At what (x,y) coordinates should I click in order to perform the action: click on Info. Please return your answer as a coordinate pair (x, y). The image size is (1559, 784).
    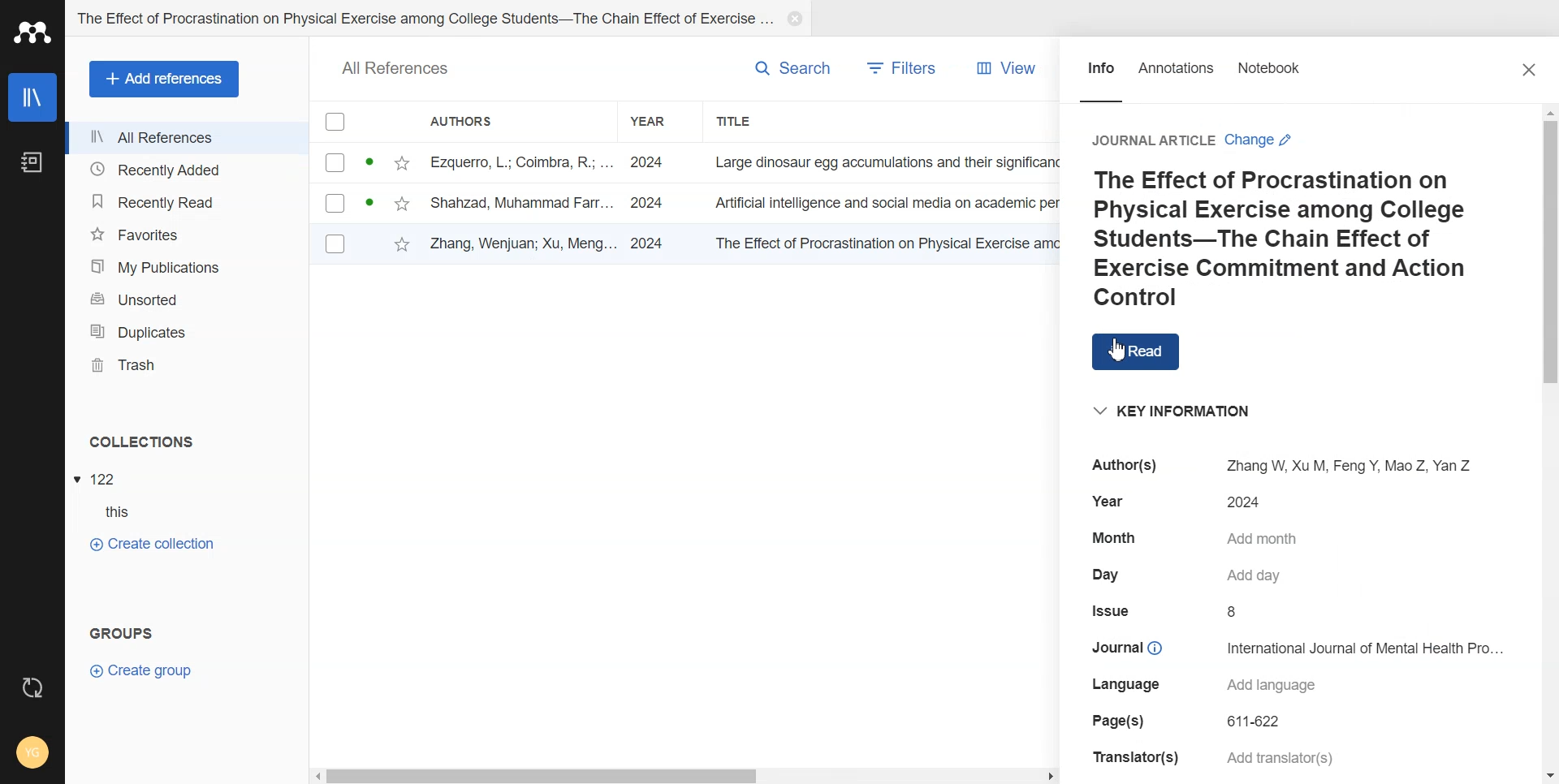
    Looking at the image, I should click on (1101, 72).